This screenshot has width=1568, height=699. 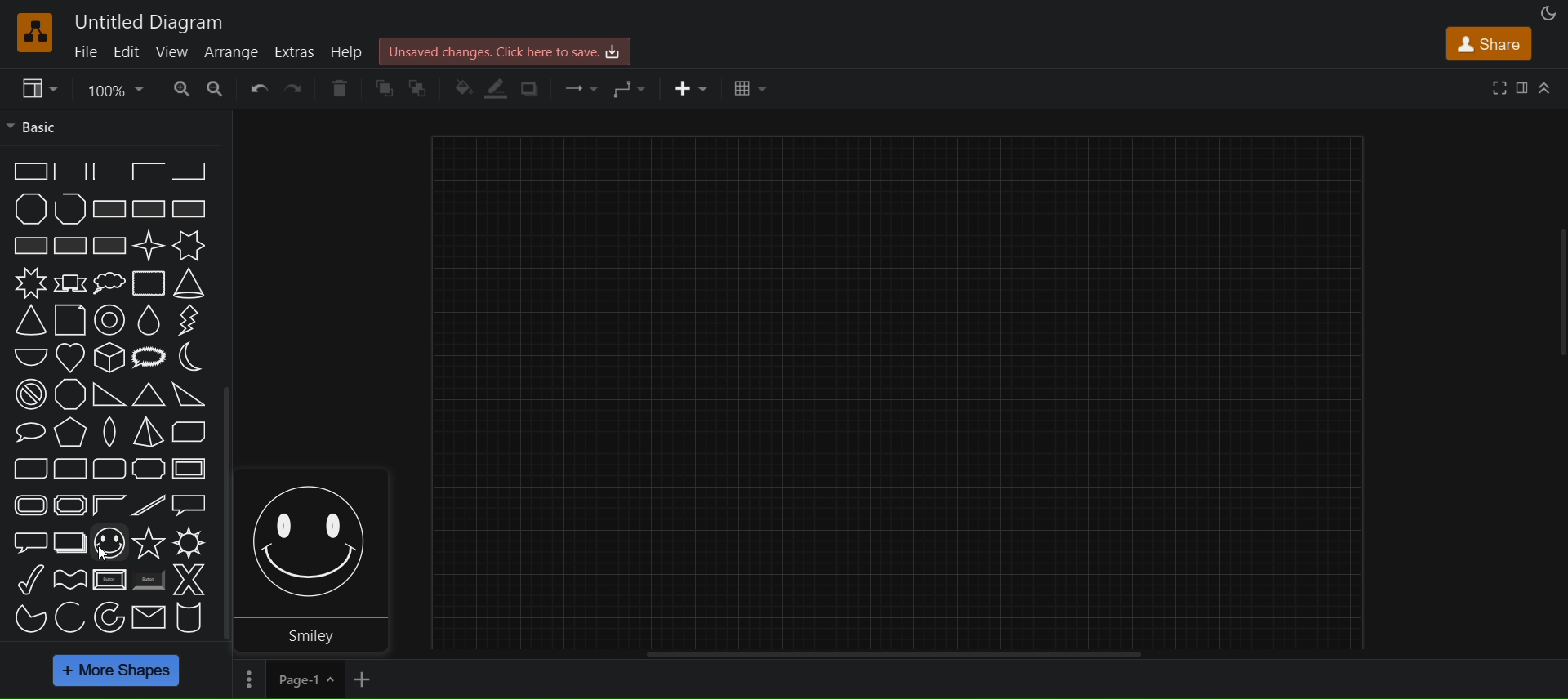 I want to click on waypoints, so click(x=634, y=89).